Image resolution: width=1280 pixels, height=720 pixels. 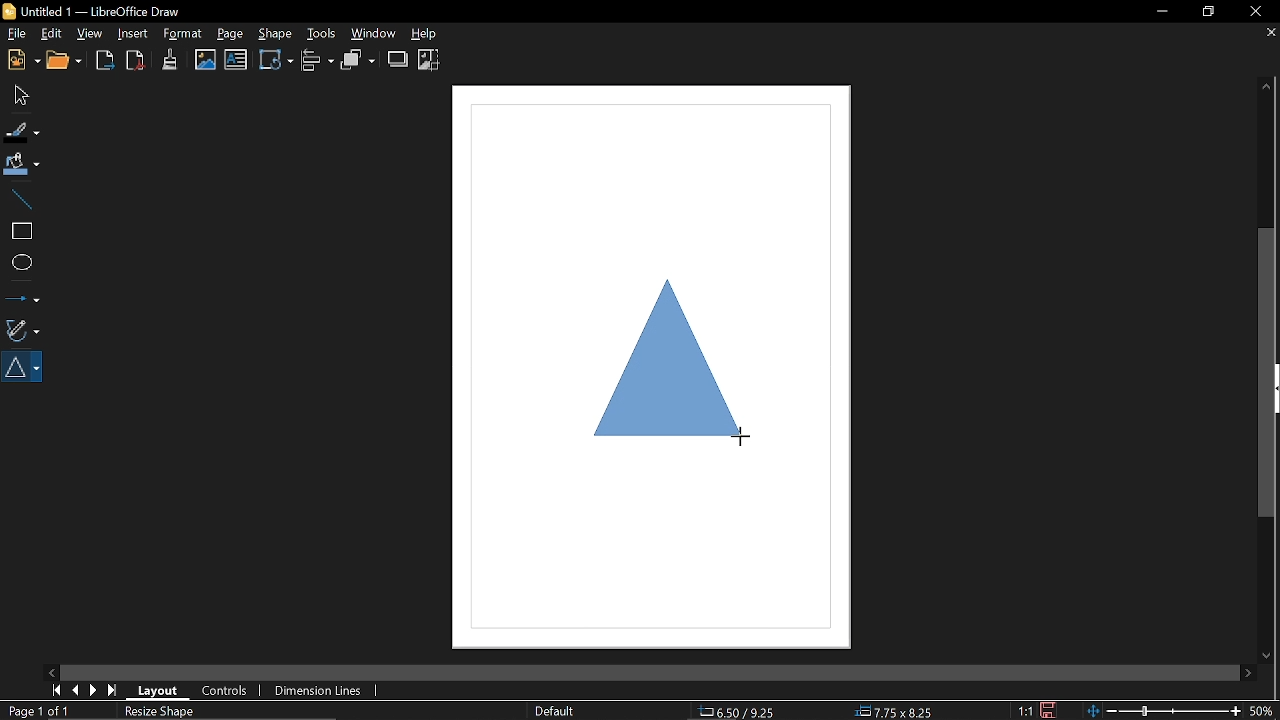 I want to click on First page, so click(x=54, y=690).